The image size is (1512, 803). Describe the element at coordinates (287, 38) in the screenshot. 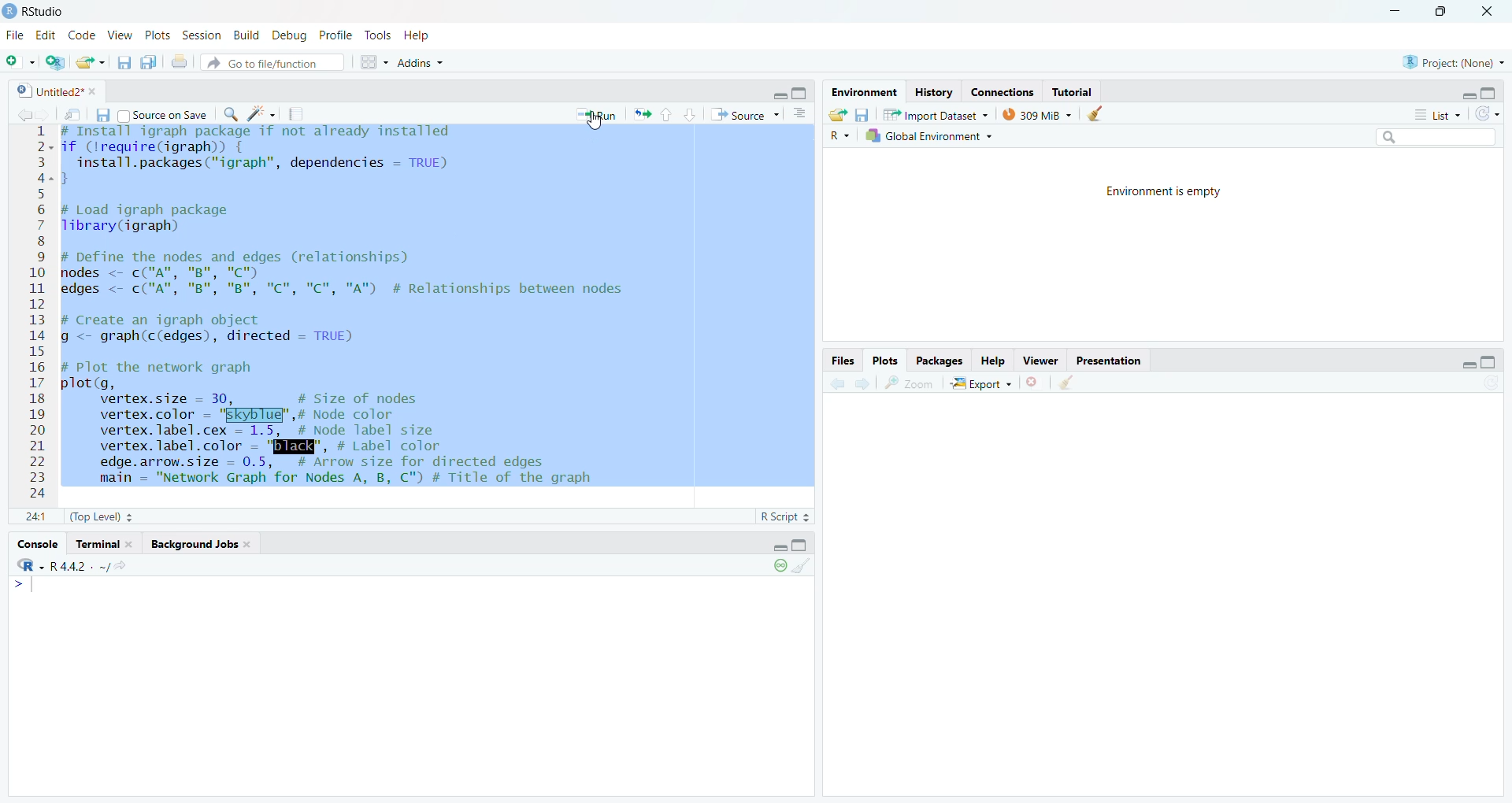

I see `Debug` at that location.